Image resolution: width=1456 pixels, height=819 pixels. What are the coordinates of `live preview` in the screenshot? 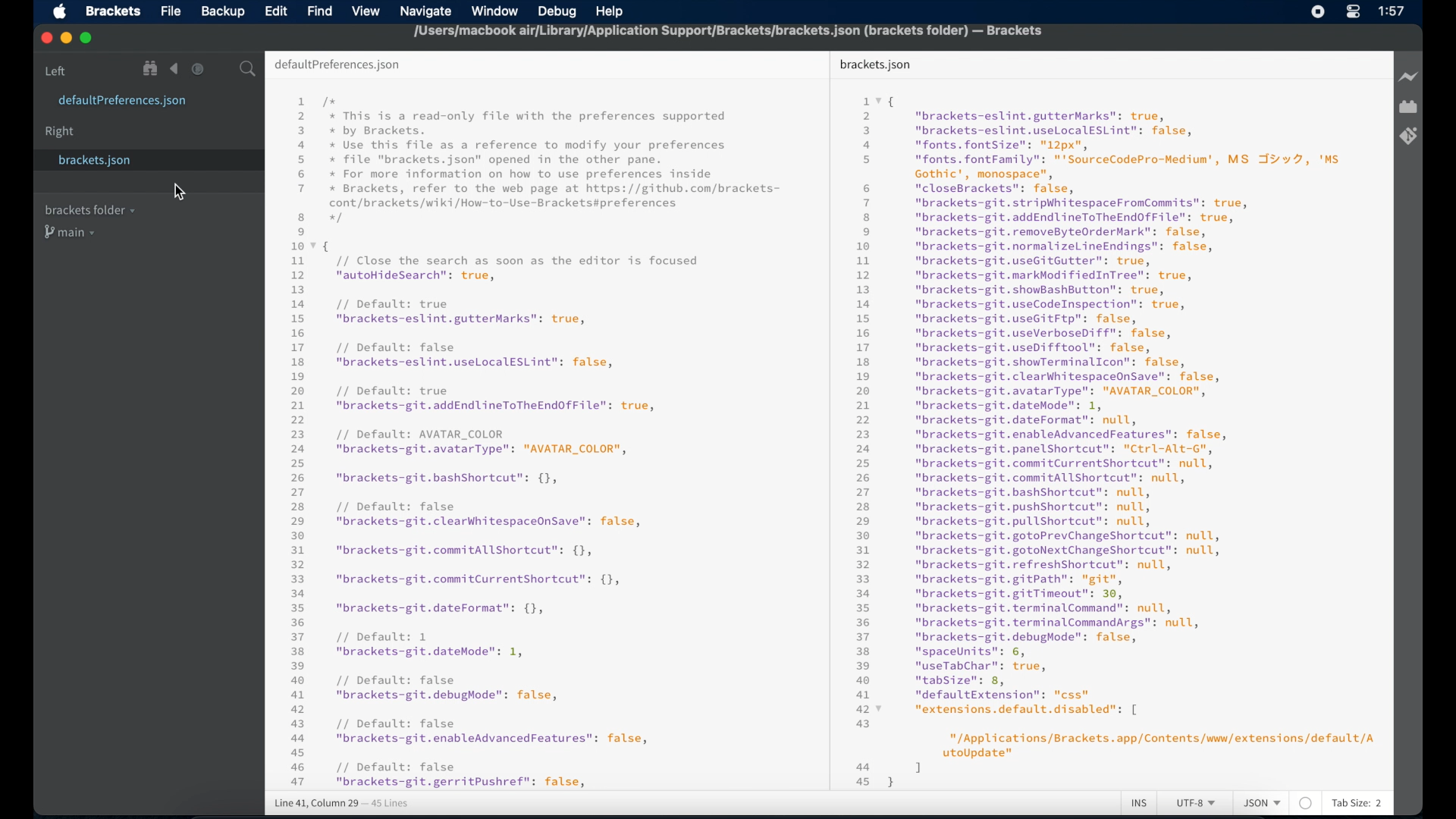 It's located at (1407, 77).